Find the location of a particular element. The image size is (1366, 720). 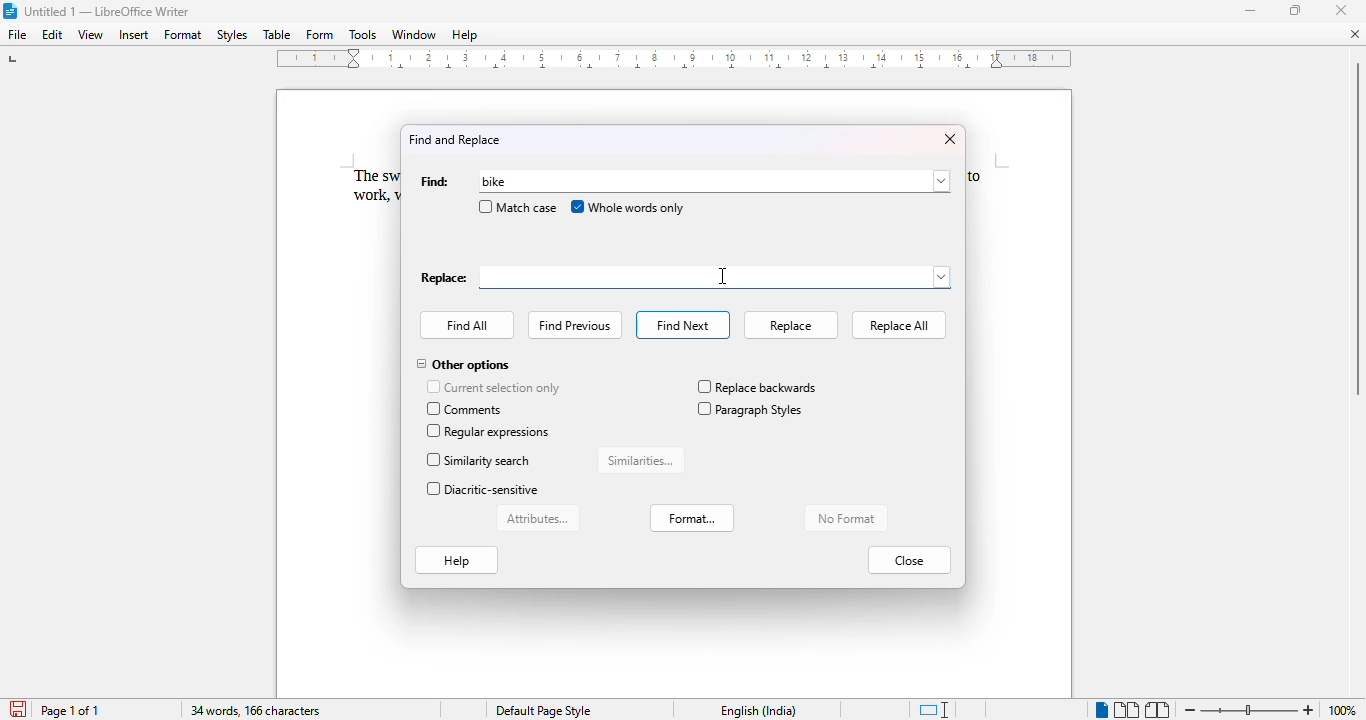

Default page style is located at coordinates (542, 711).